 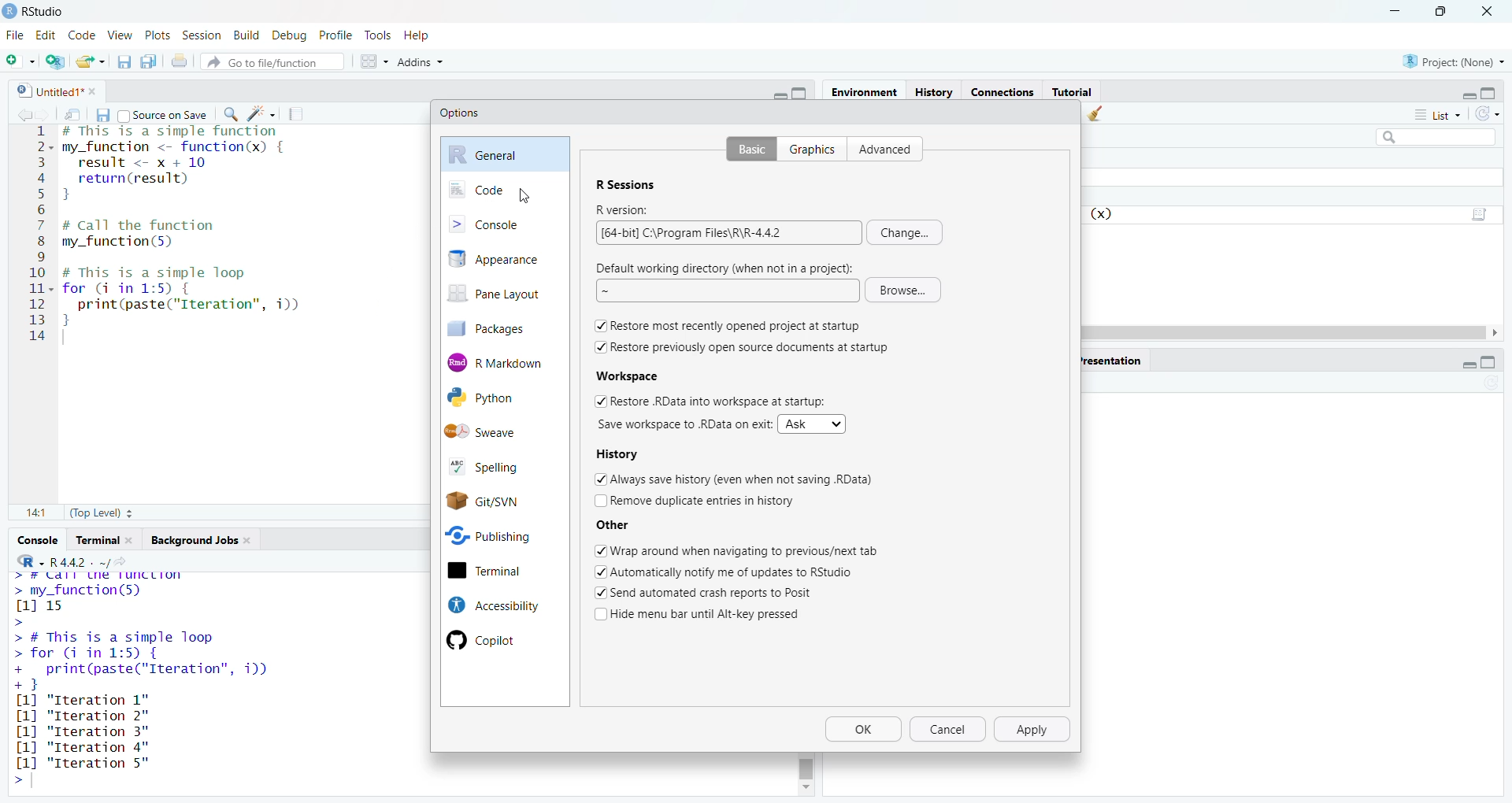 I want to click on view the current working directory, so click(x=128, y=561).